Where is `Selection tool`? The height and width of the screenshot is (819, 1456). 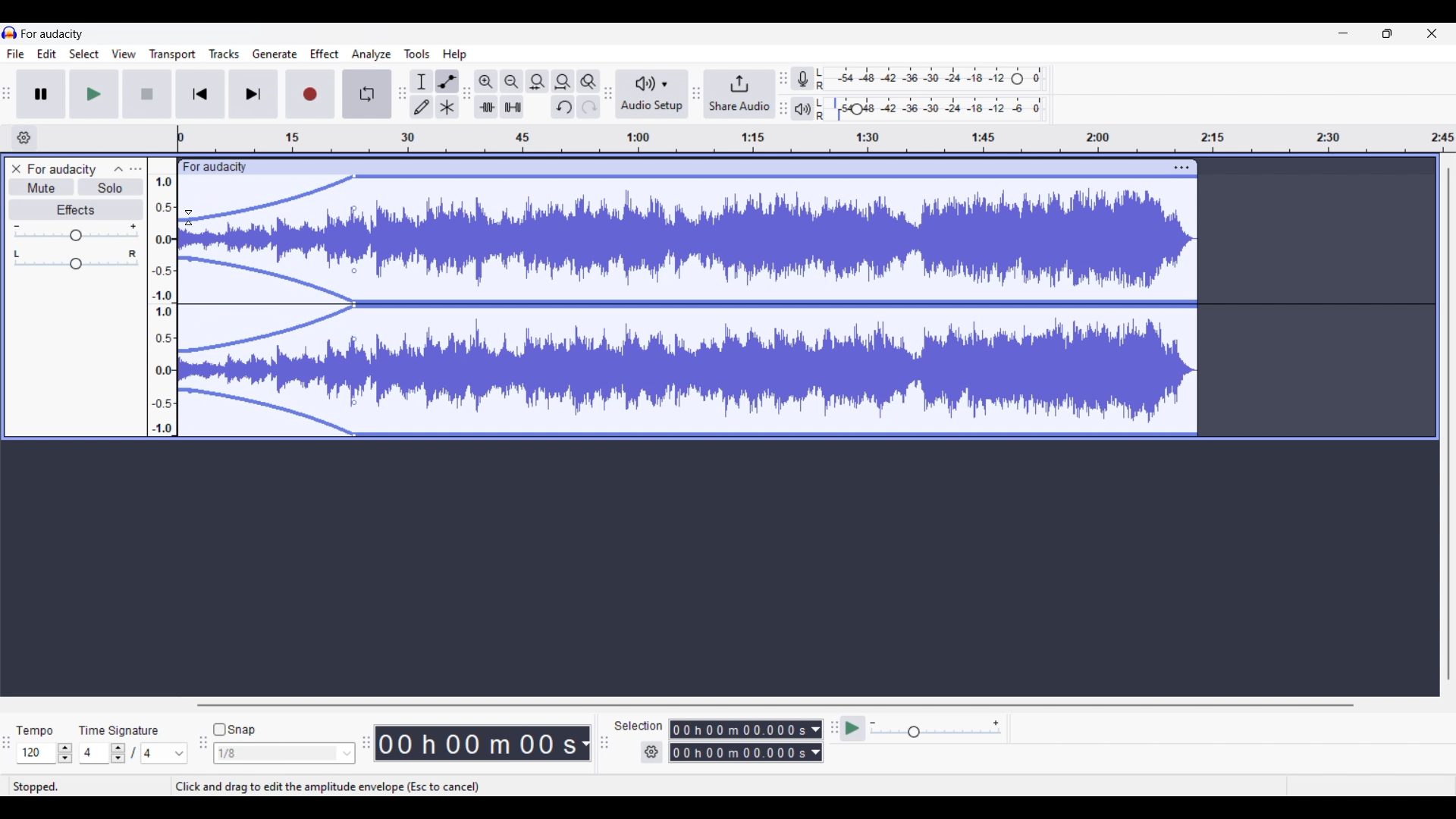
Selection tool is located at coordinates (422, 82).